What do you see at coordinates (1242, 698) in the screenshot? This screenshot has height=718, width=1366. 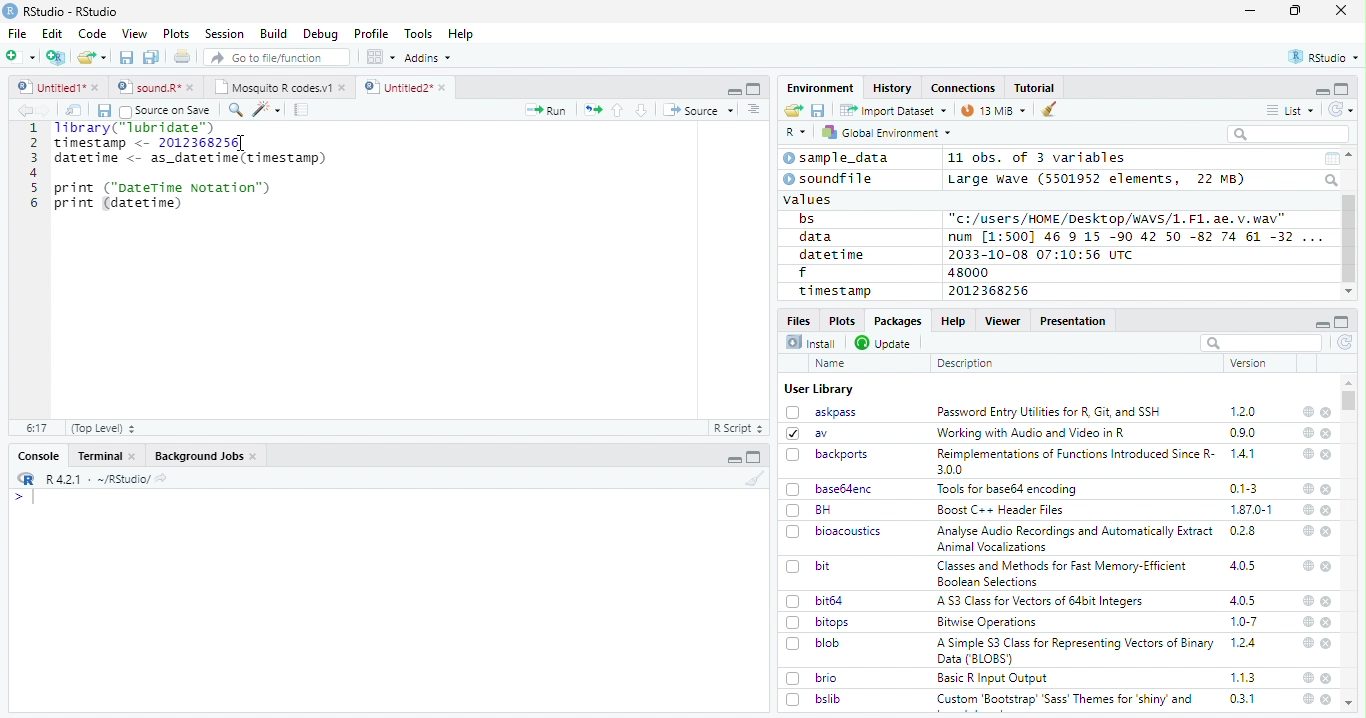 I see `0.3.1` at bounding box center [1242, 698].